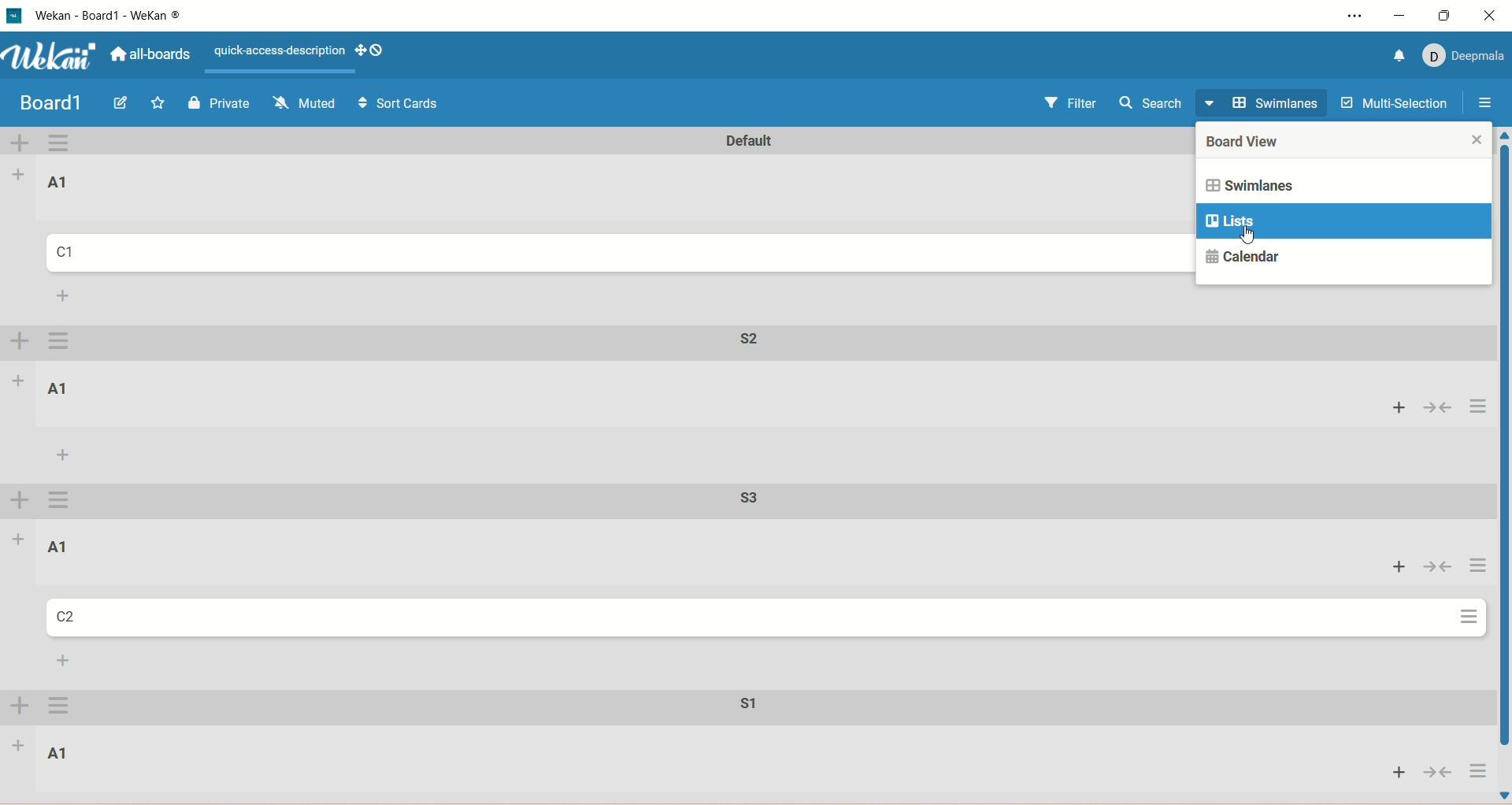 The width and height of the screenshot is (1512, 805). I want to click on swinlane title, so click(754, 501).